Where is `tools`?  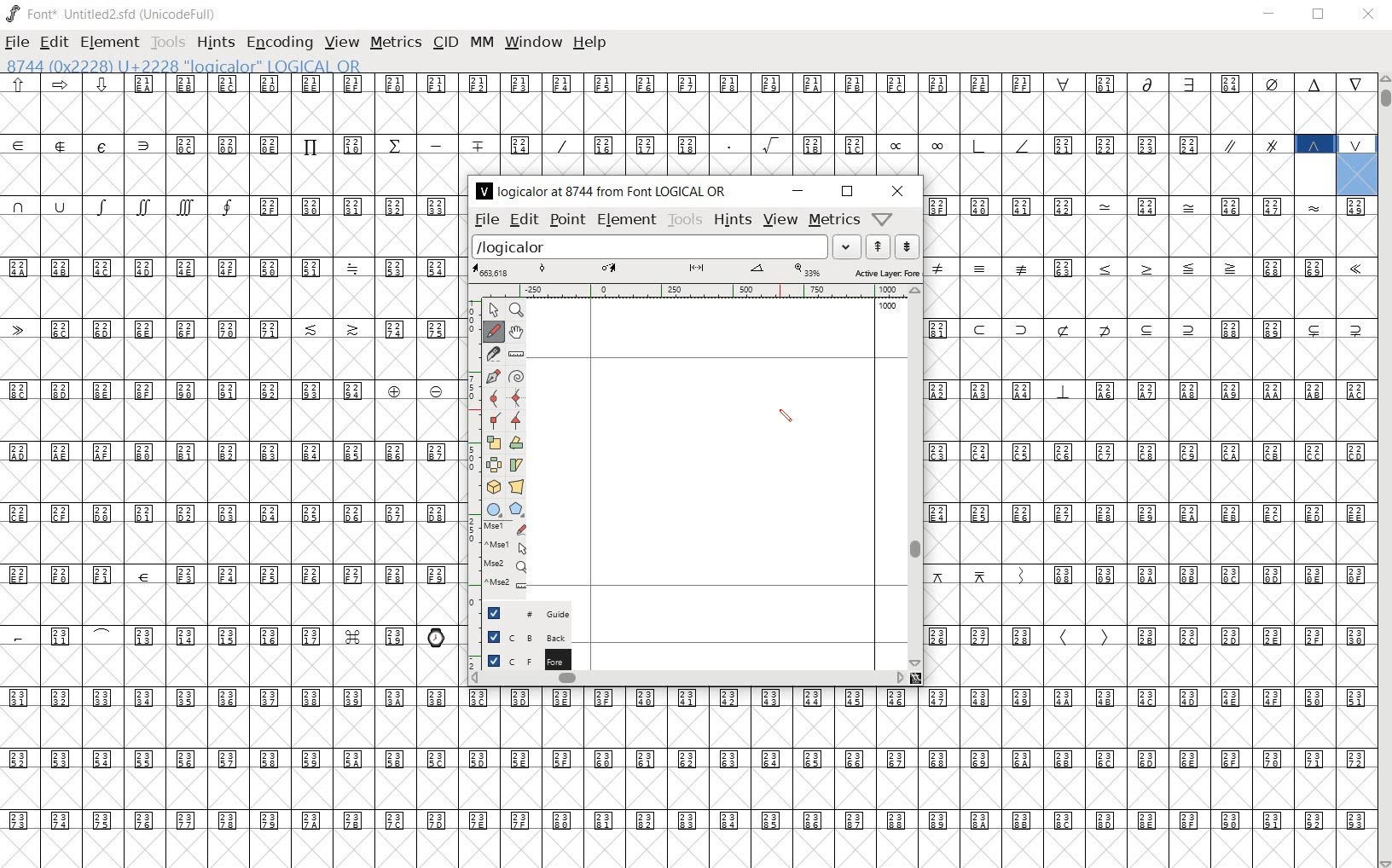 tools is located at coordinates (167, 43).